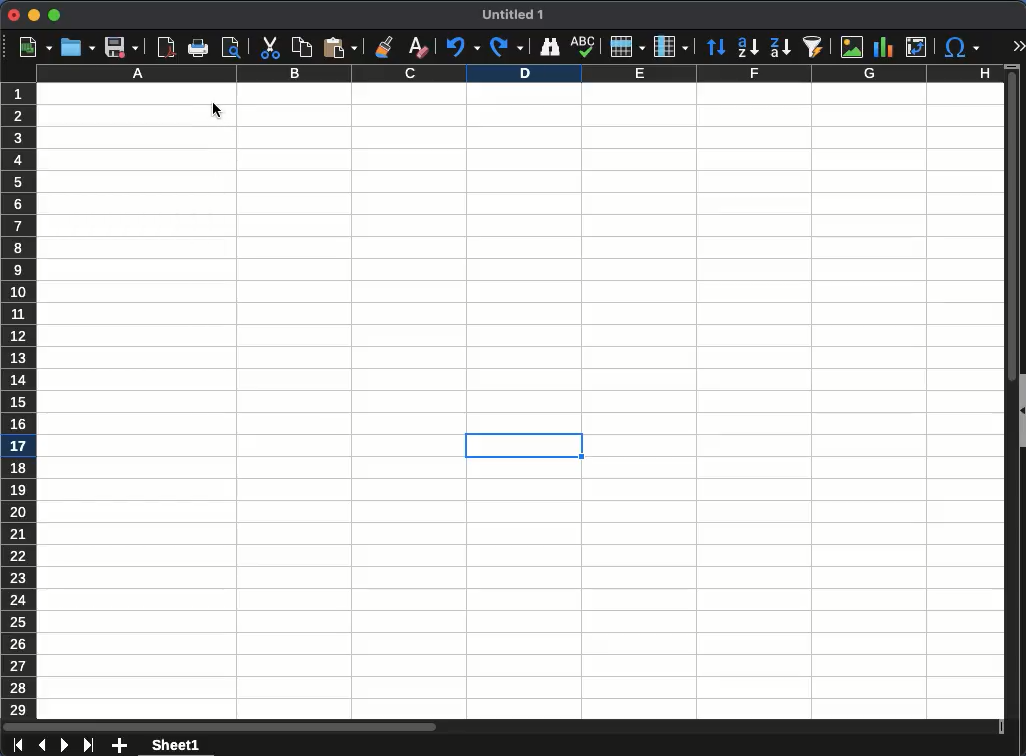 The image size is (1026, 756). What do you see at coordinates (552, 47) in the screenshot?
I see `finder` at bounding box center [552, 47].